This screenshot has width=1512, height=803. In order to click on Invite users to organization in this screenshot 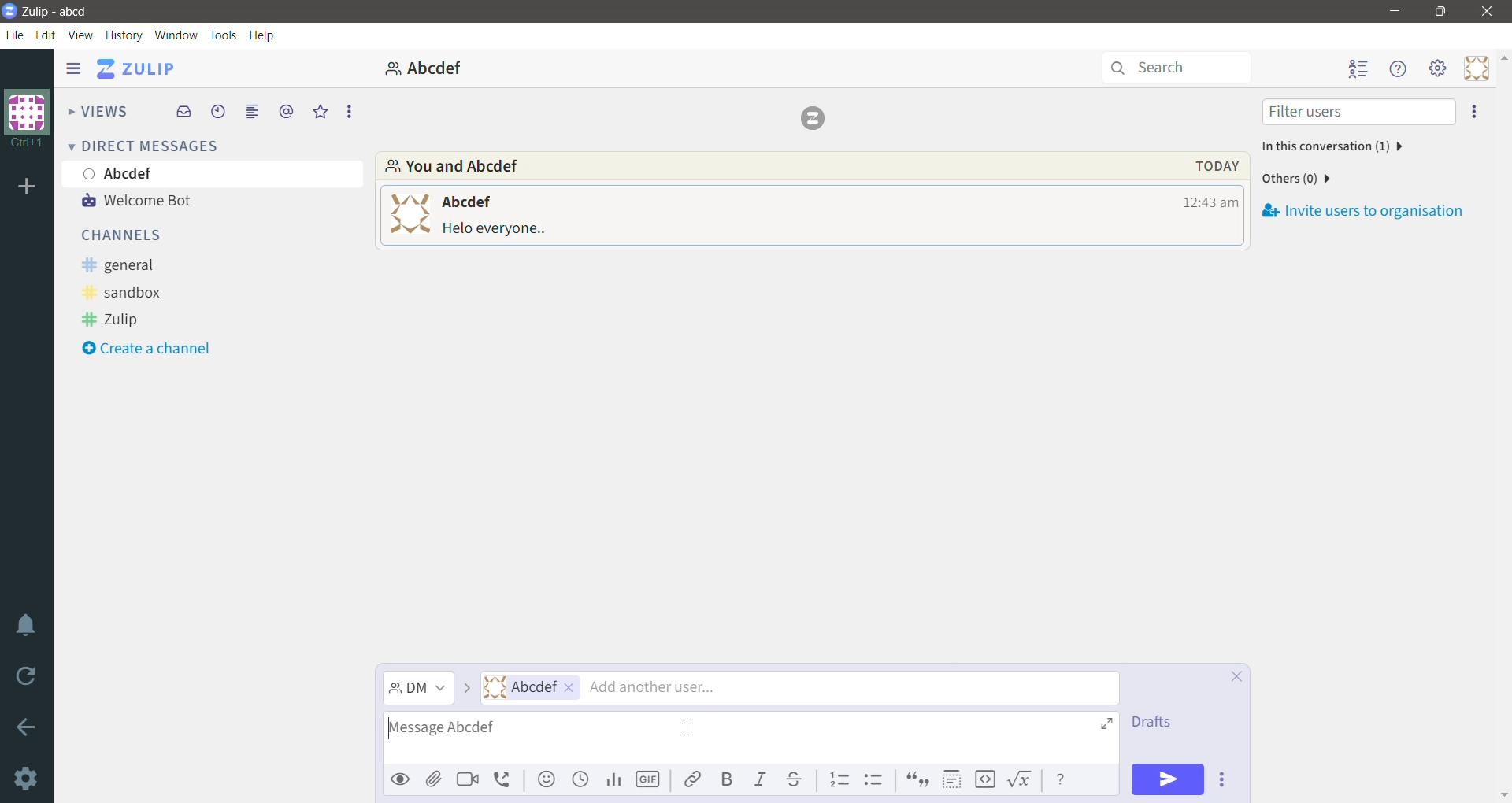, I will do `click(1475, 113)`.